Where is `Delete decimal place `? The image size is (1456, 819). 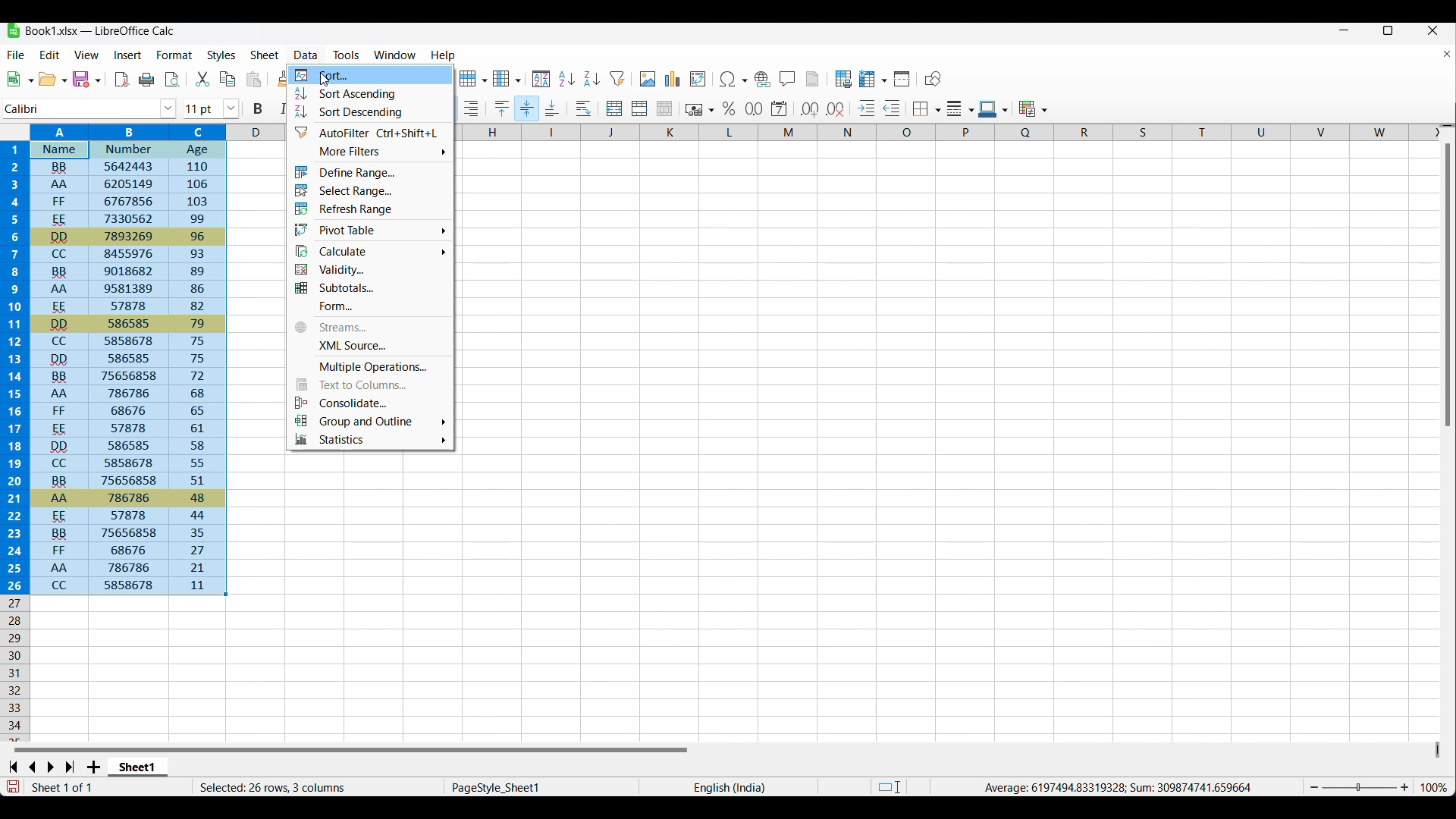
Delete decimal place  is located at coordinates (836, 110).